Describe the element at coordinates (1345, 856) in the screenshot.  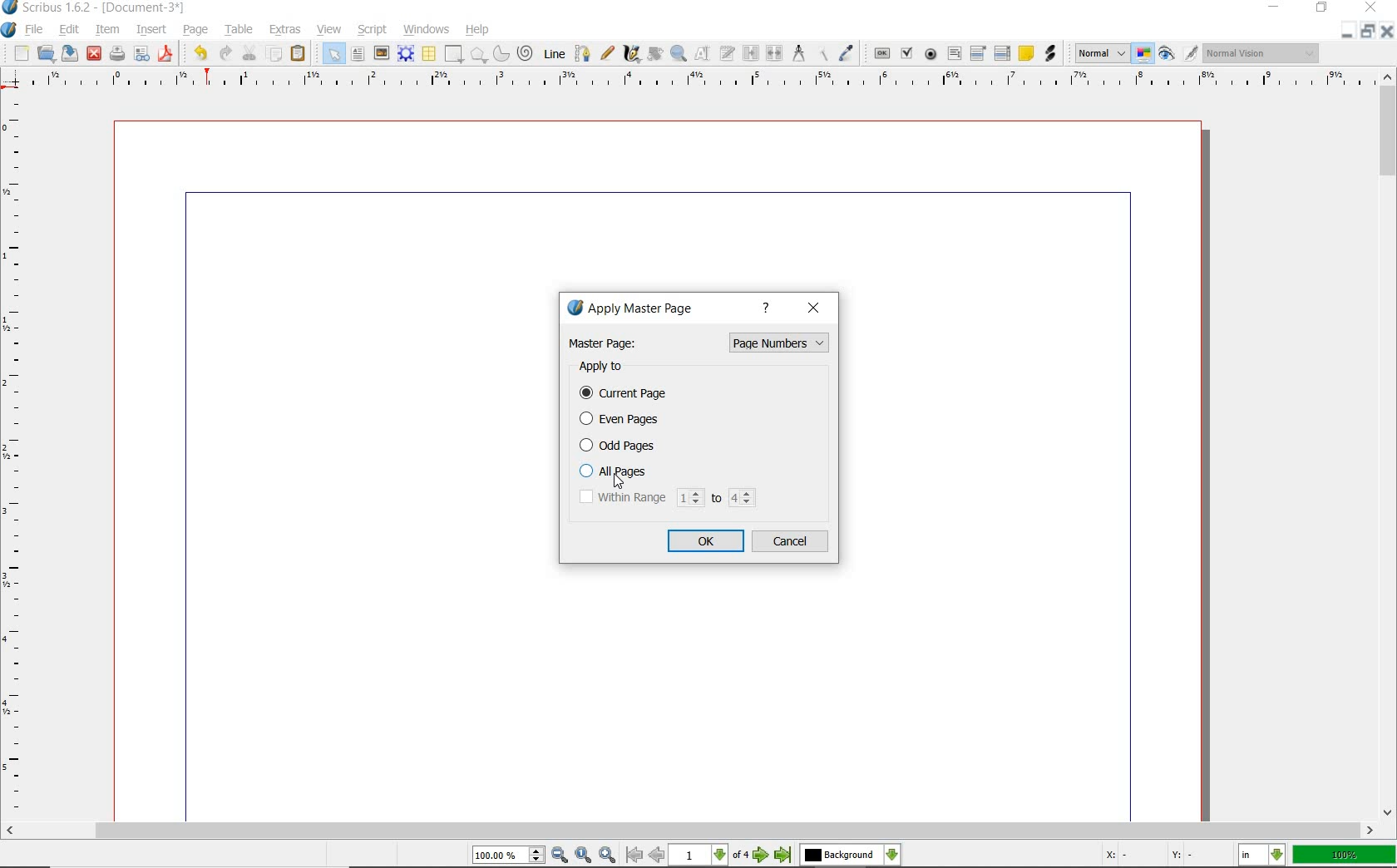
I see `zoom factor 100%` at that location.